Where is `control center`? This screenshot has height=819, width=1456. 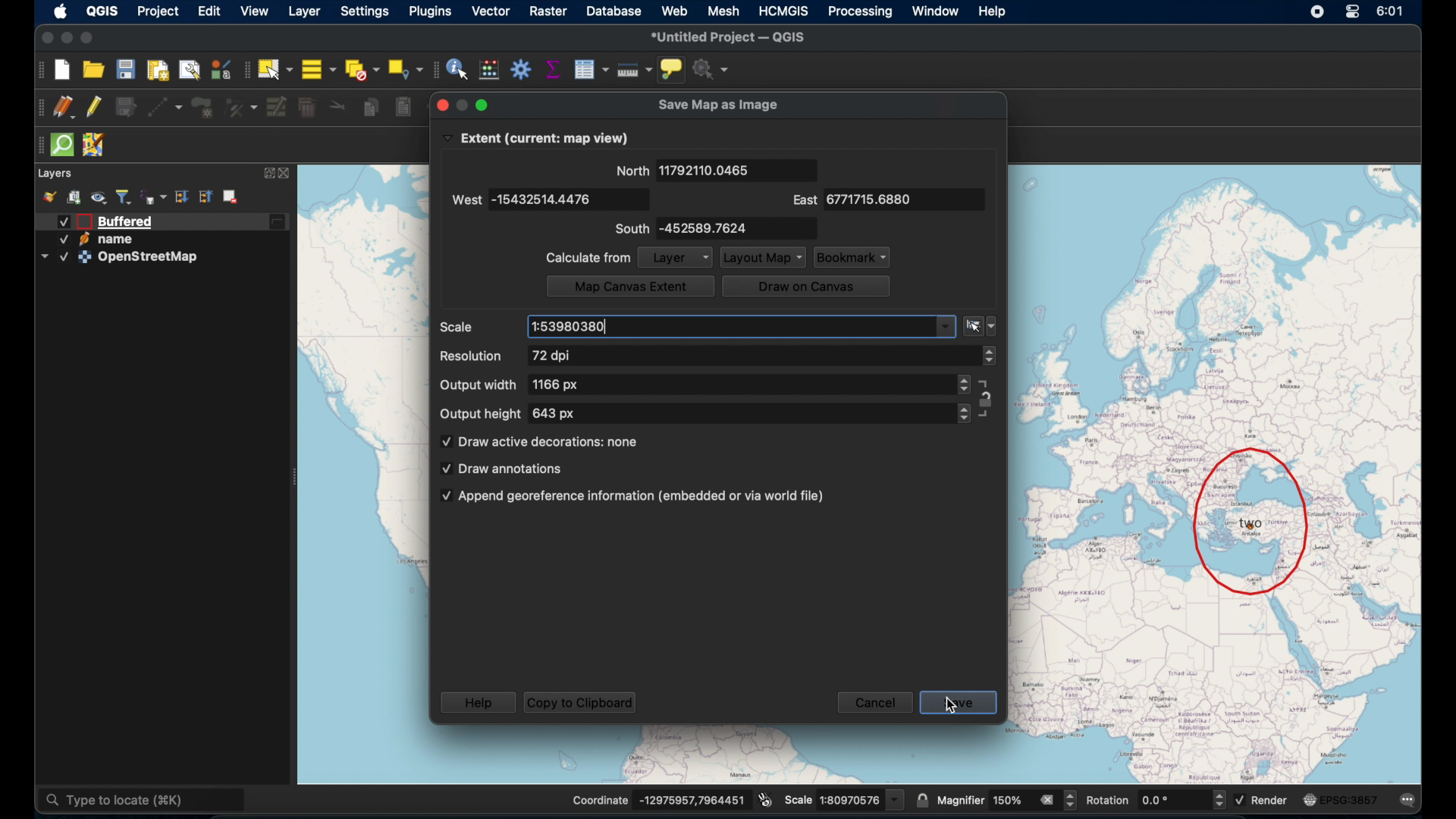
control center is located at coordinates (1316, 11).